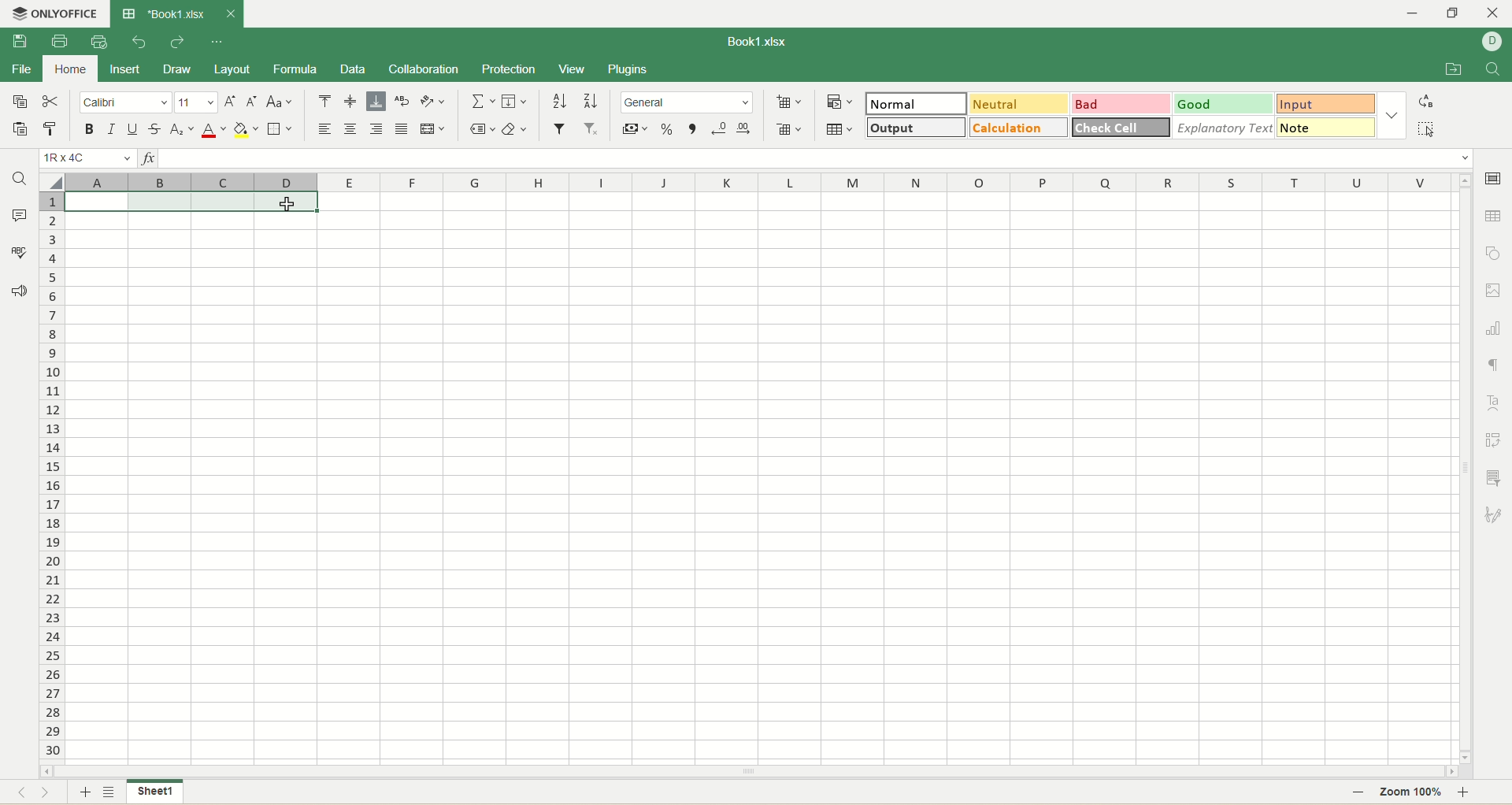 The width and height of the screenshot is (1512, 805). I want to click on zoom out, so click(1358, 793).